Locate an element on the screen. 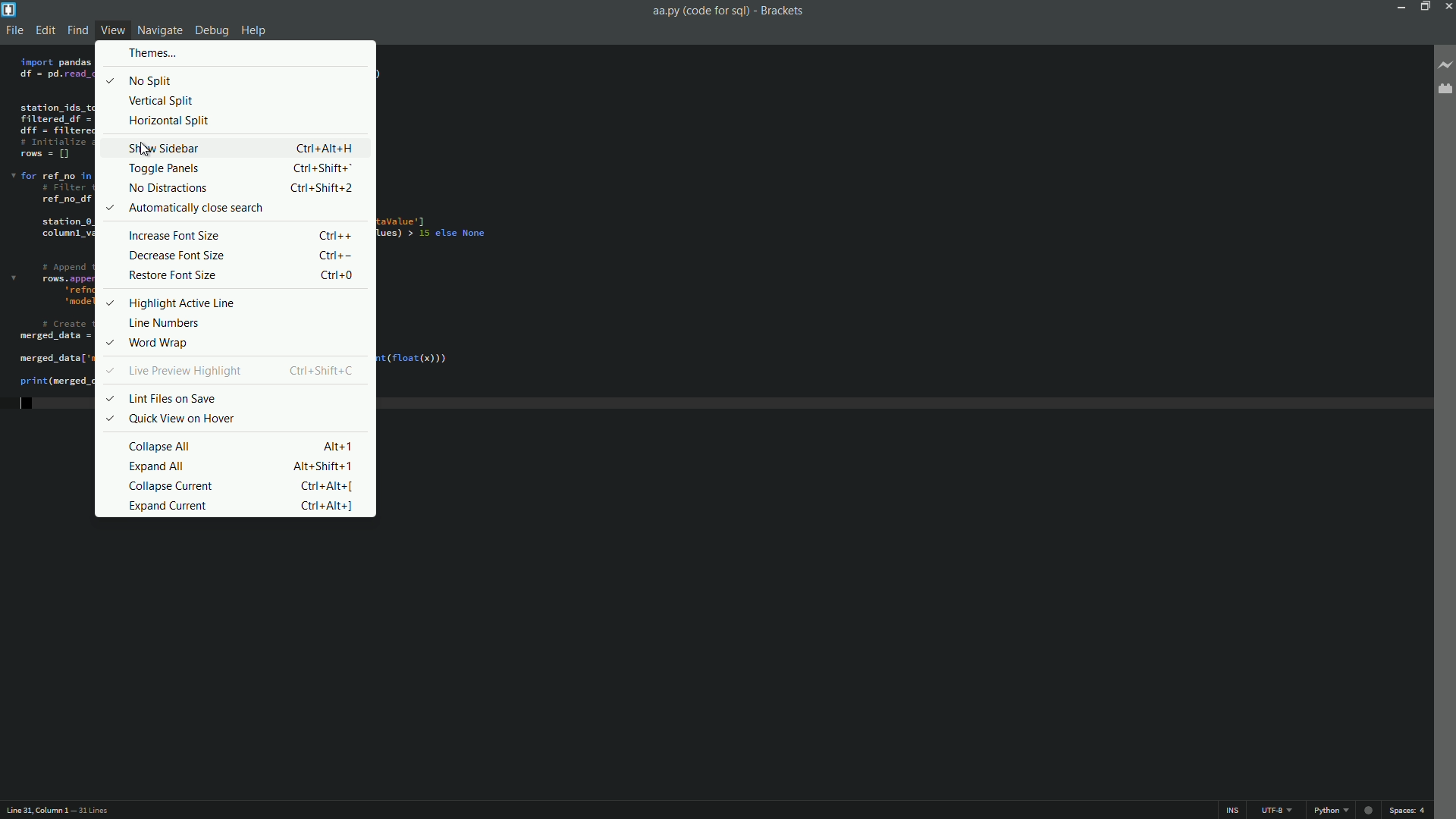  no split is located at coordinates (140, 80).